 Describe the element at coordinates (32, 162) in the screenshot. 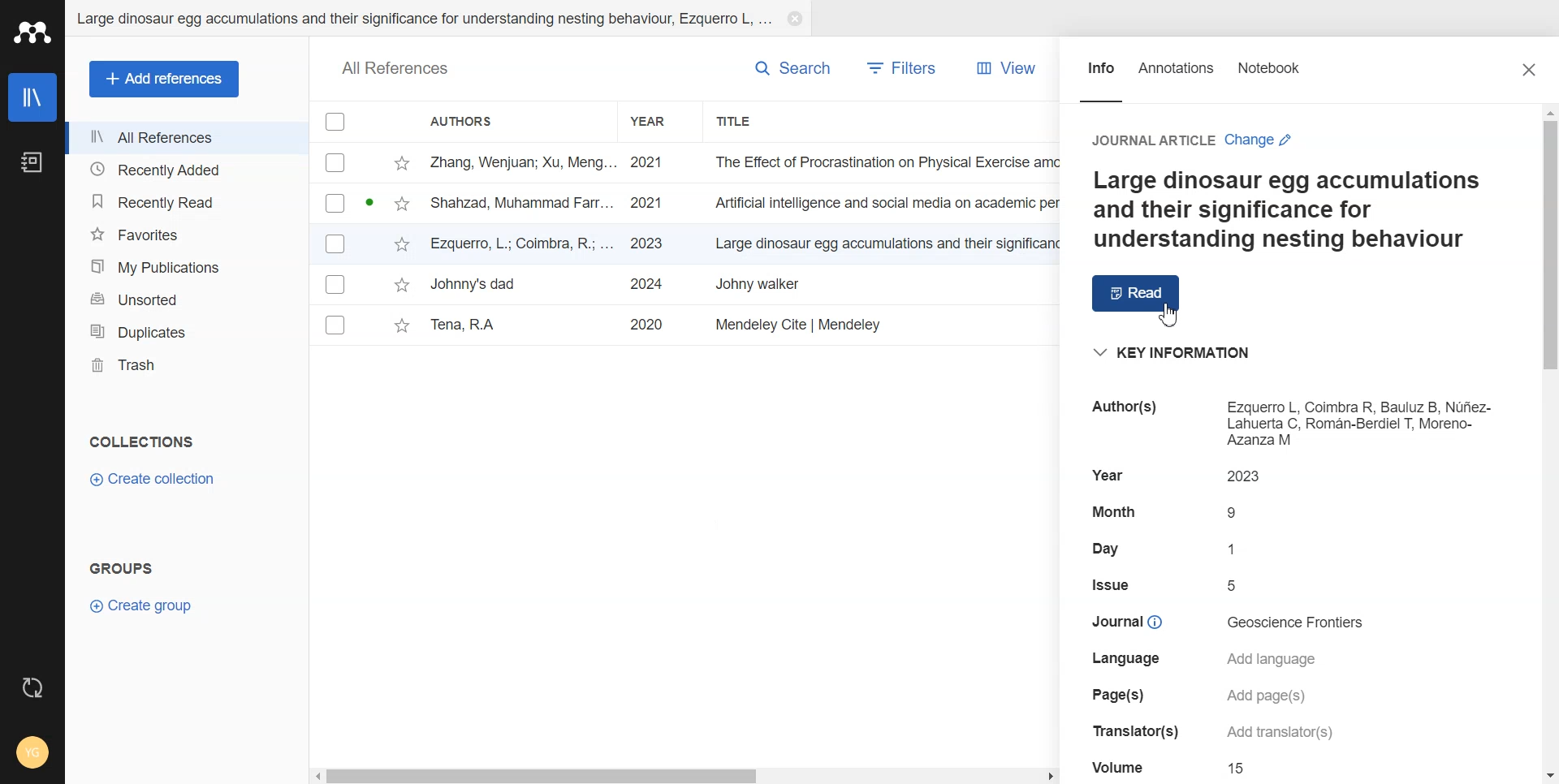

I see `Notebook` at that location.